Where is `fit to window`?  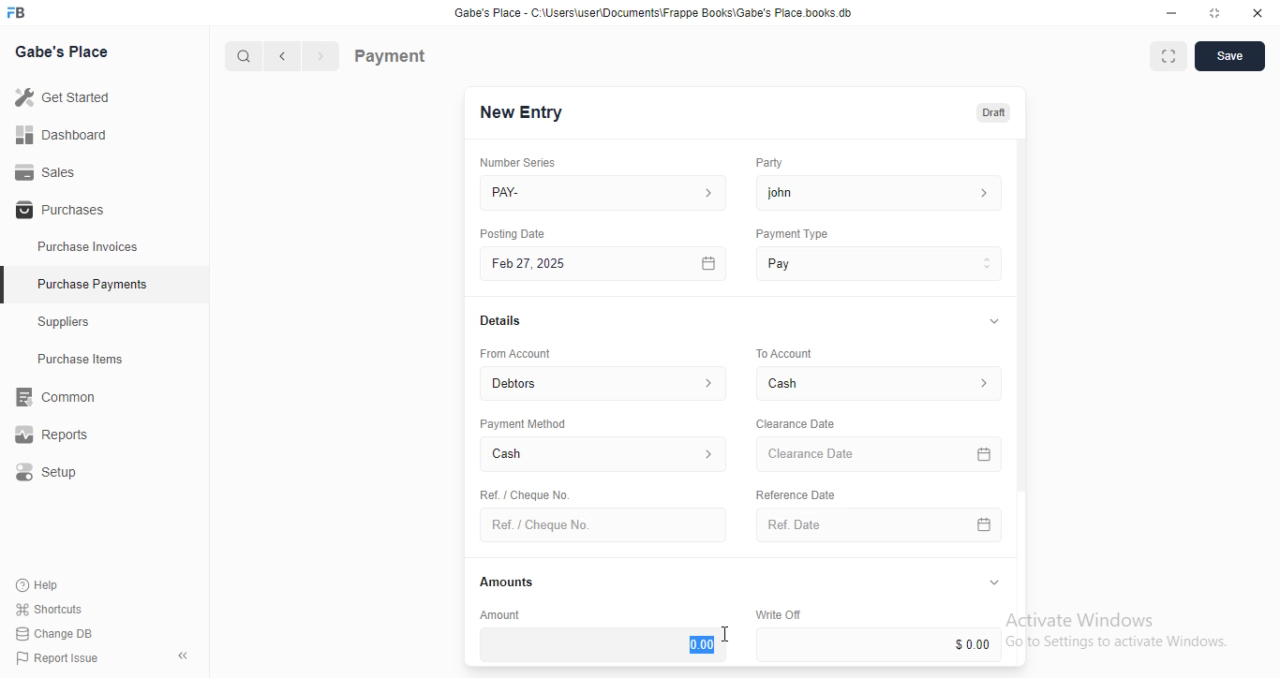
fit to window is located at coordinates (1168, 58).